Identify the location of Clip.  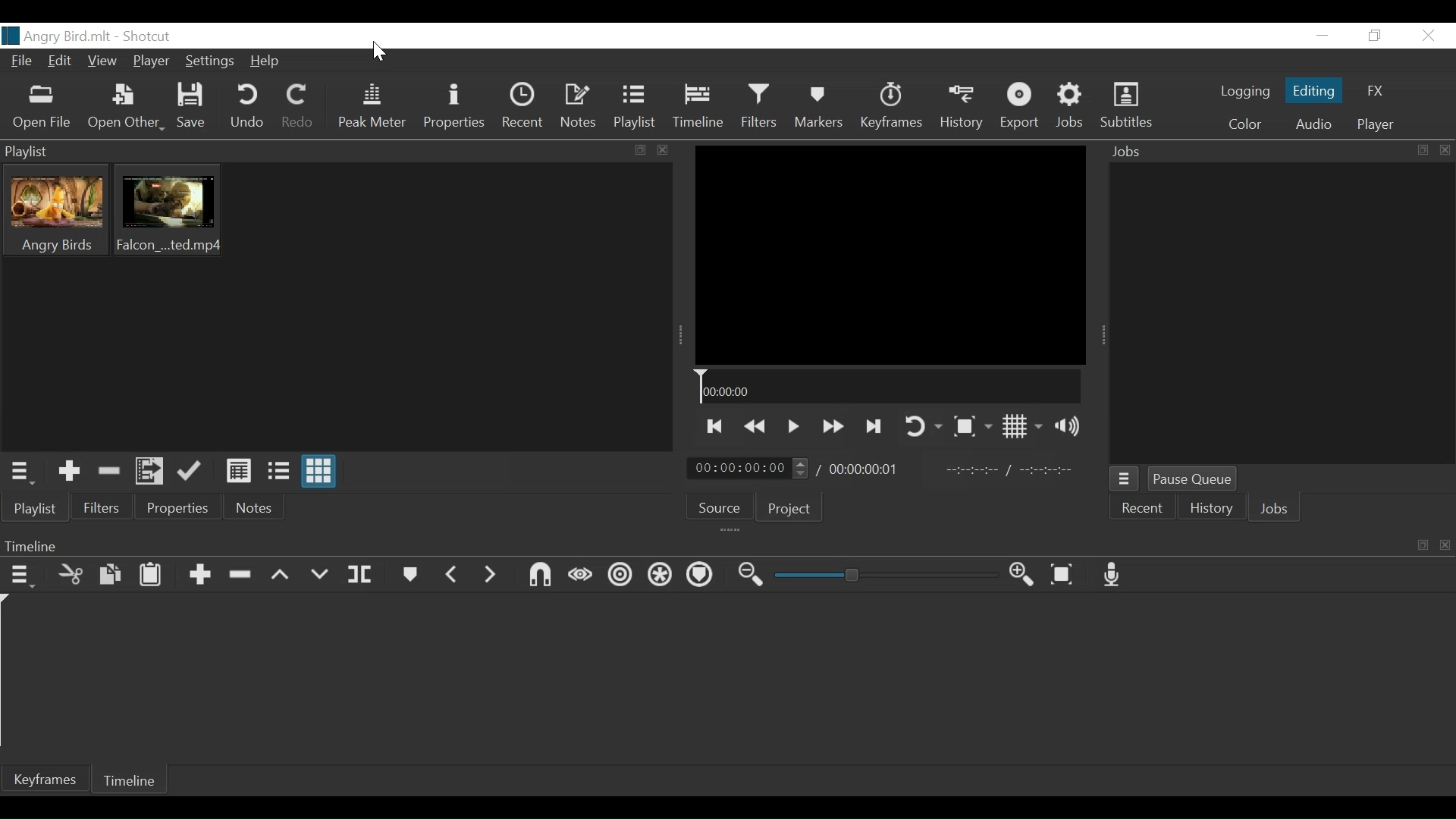
(52, 209).